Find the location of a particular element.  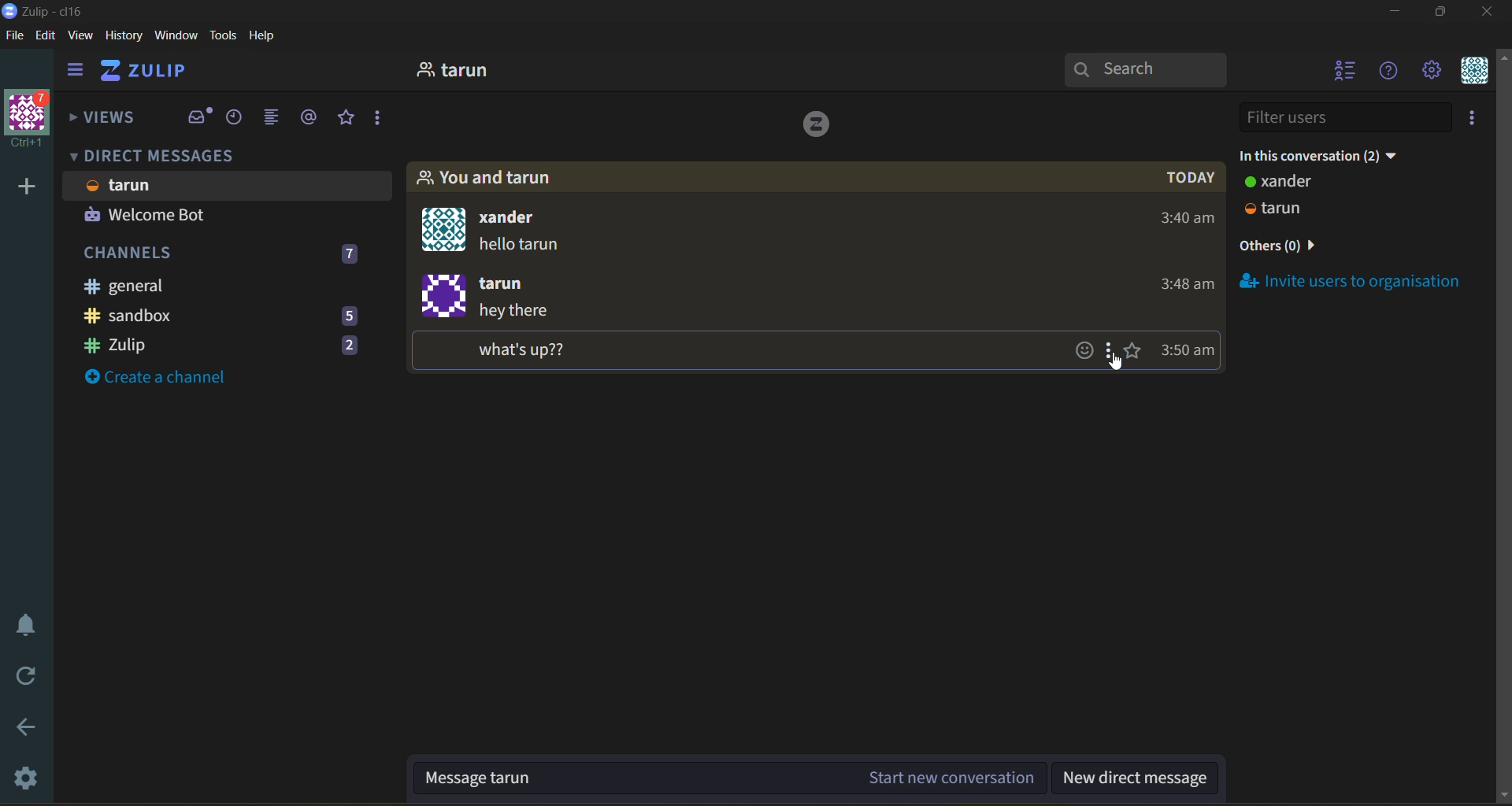

hide left side bar is located at coordinates (76, 70).